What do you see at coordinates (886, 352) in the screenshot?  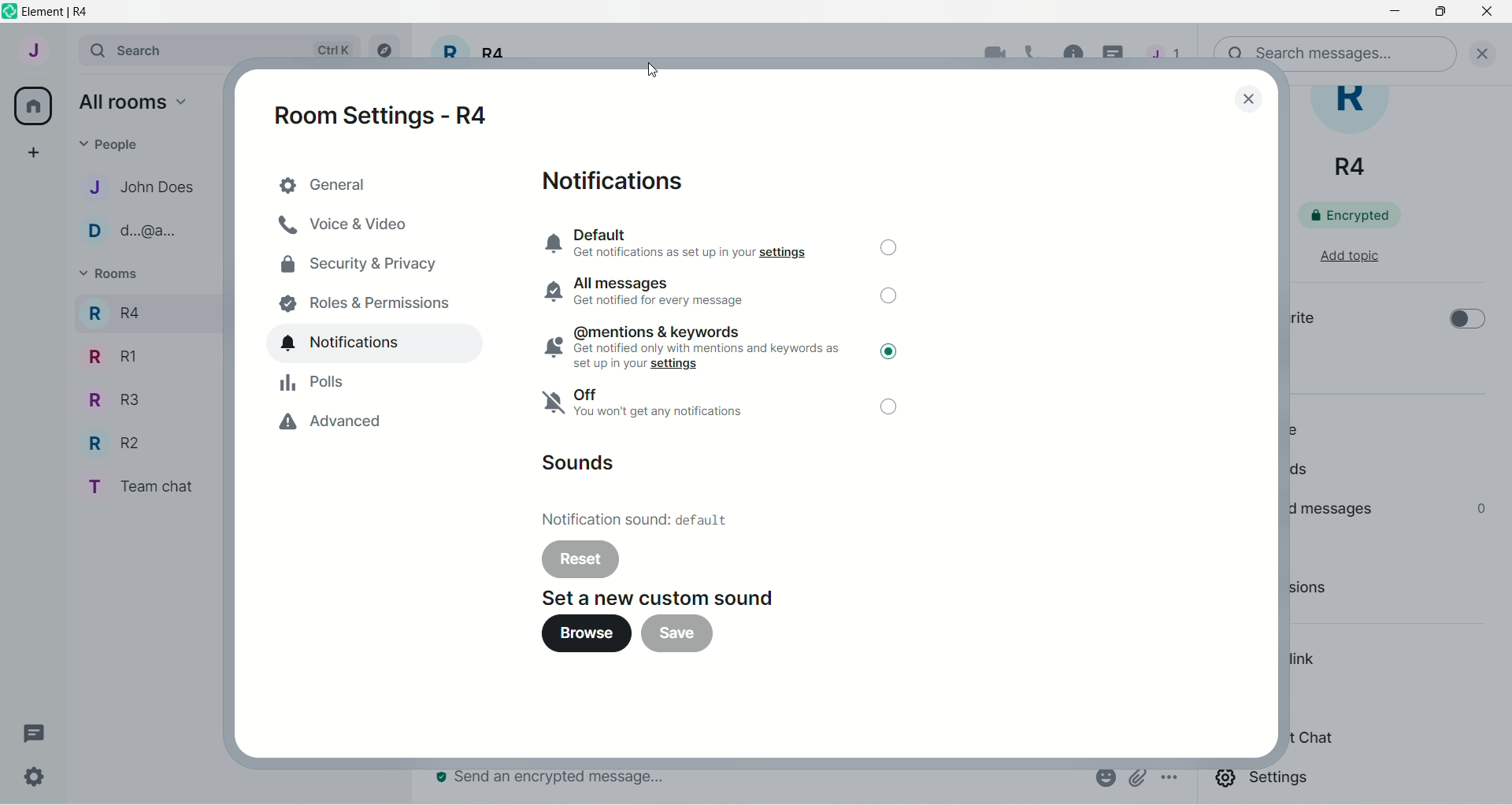 I see `selected Toggle ` at bounding box center [886, 352].